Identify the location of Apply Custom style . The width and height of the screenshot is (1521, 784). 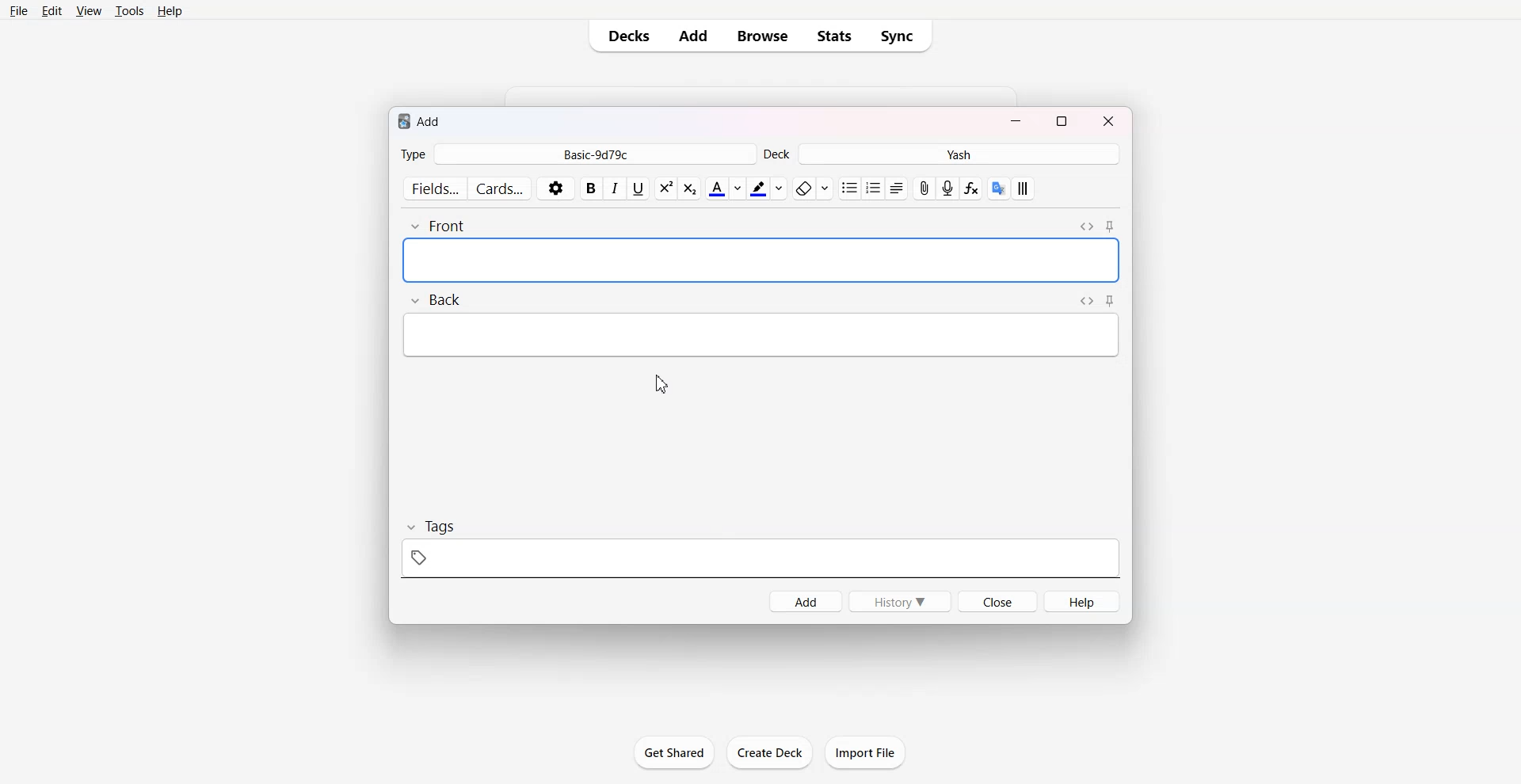
(1022, 188).